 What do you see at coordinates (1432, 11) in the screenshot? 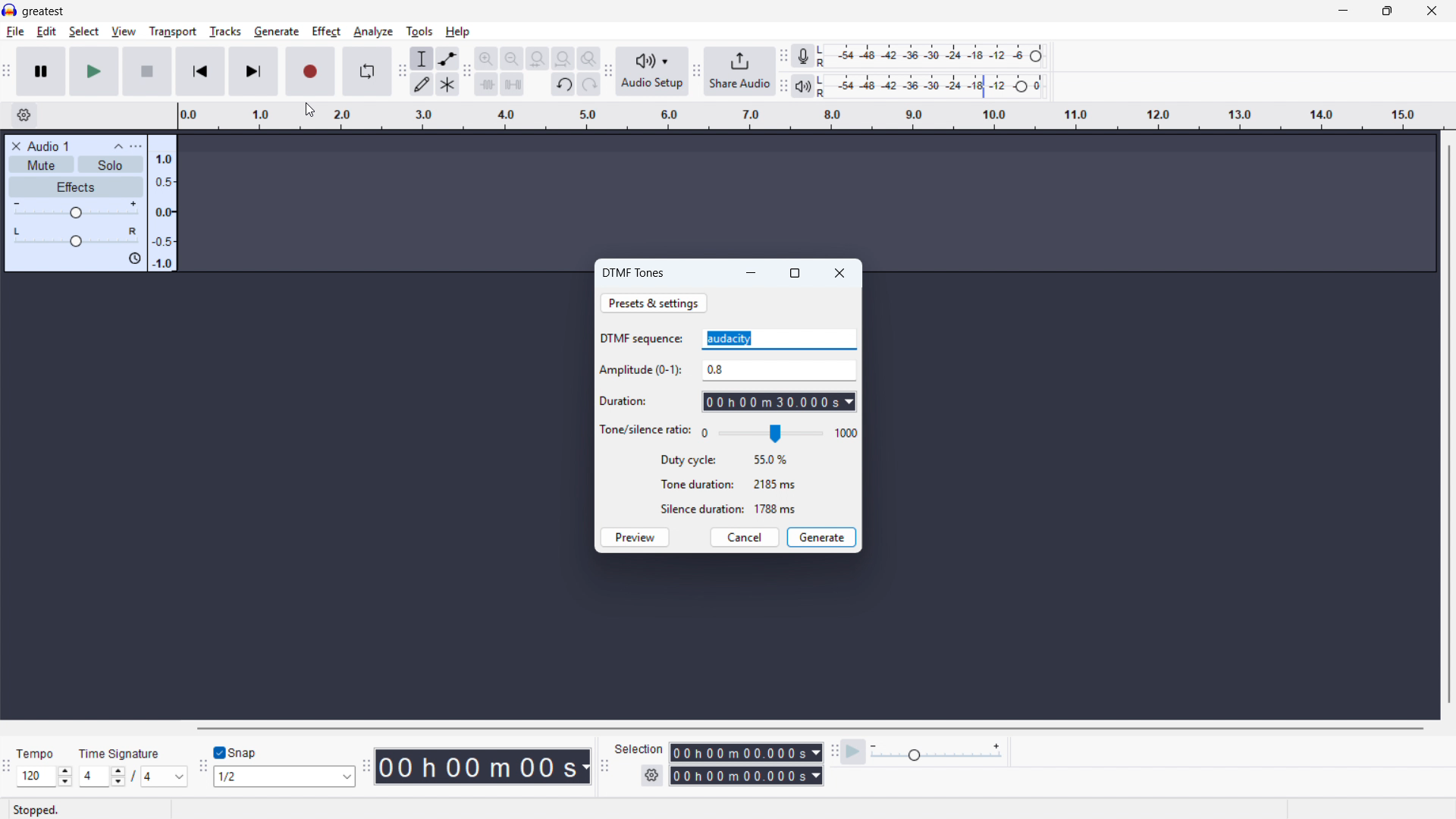
I see `close ` at bounding box center [1432, 11].